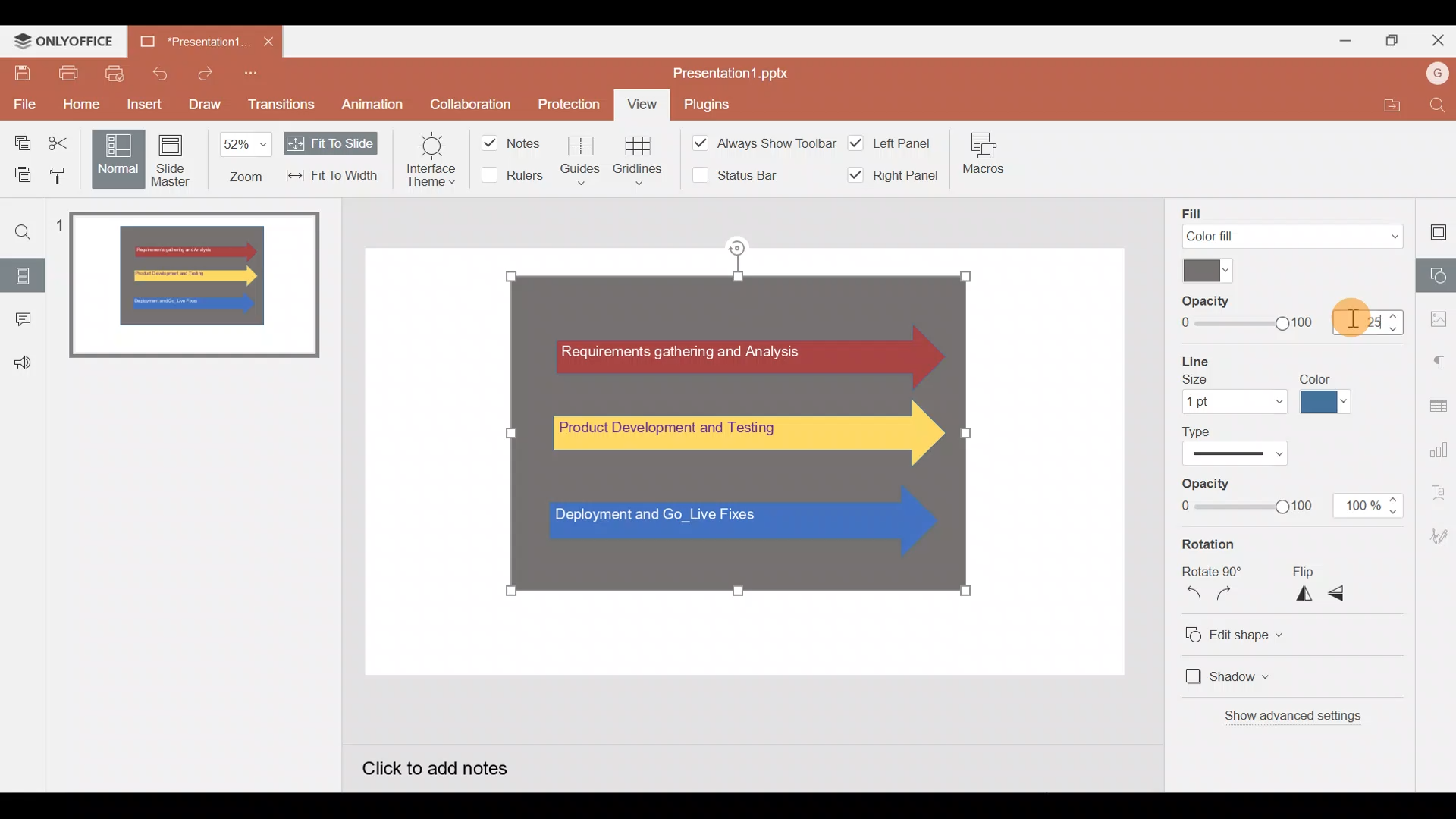 The height and width of the screenshot is (819, 1456). What do you see at coordinates (24, 272) in the screenshot?
I see `Slides` at bounding box center [24, 272].